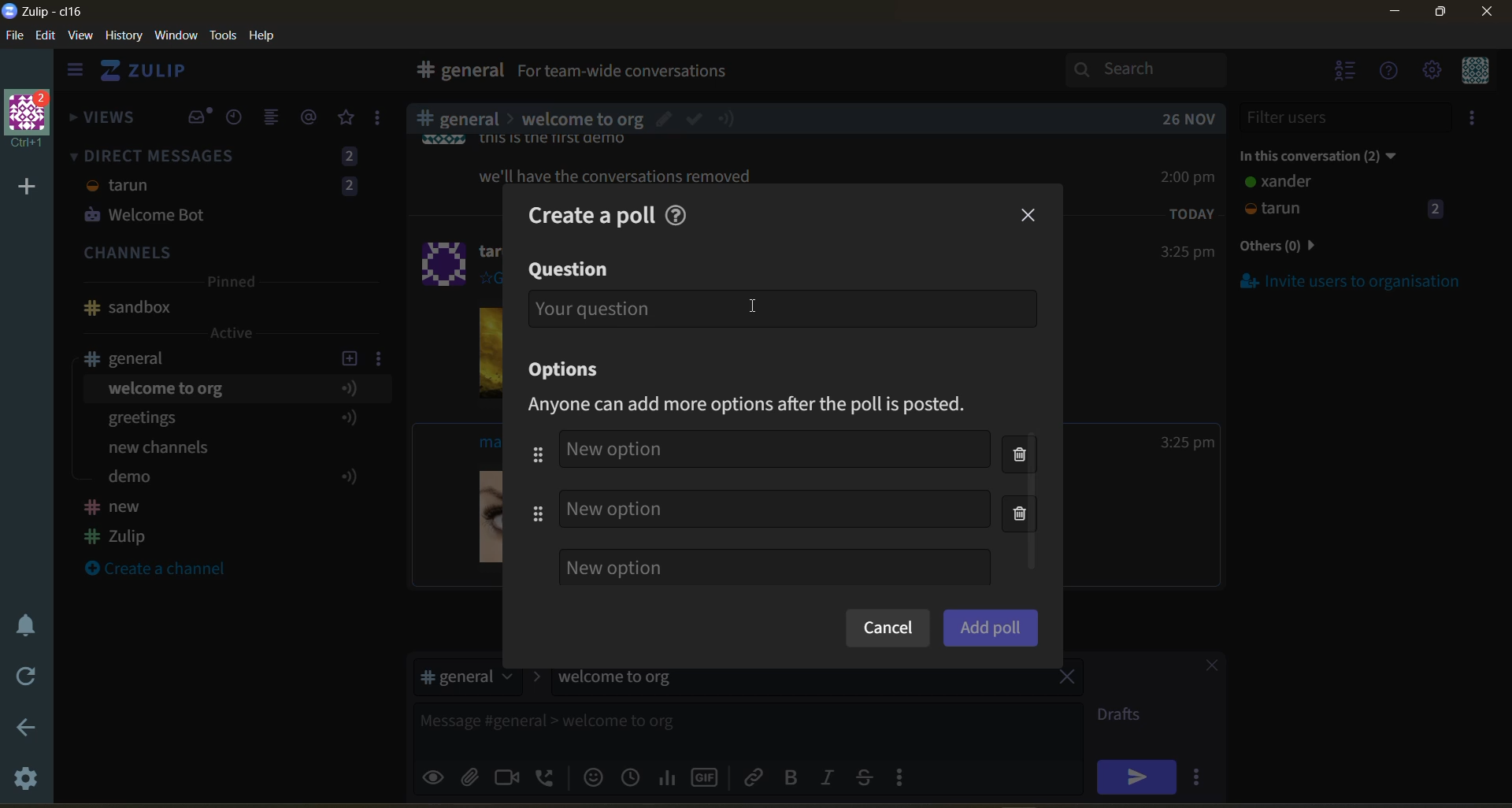  What do you see at coordinates (1204, 668) in the screenshot?
I see `close` at bounding box center [1204, 668].